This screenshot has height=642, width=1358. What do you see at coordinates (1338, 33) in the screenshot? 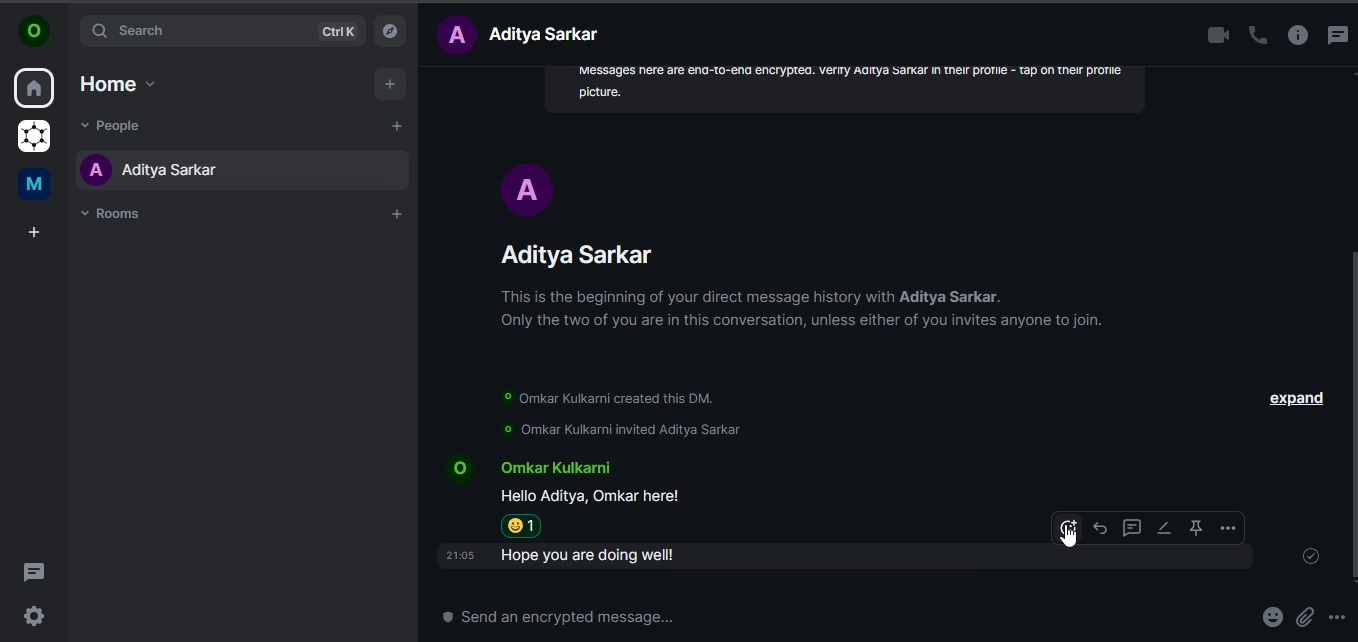
I see `threads` at bounding box center [1338, 33].